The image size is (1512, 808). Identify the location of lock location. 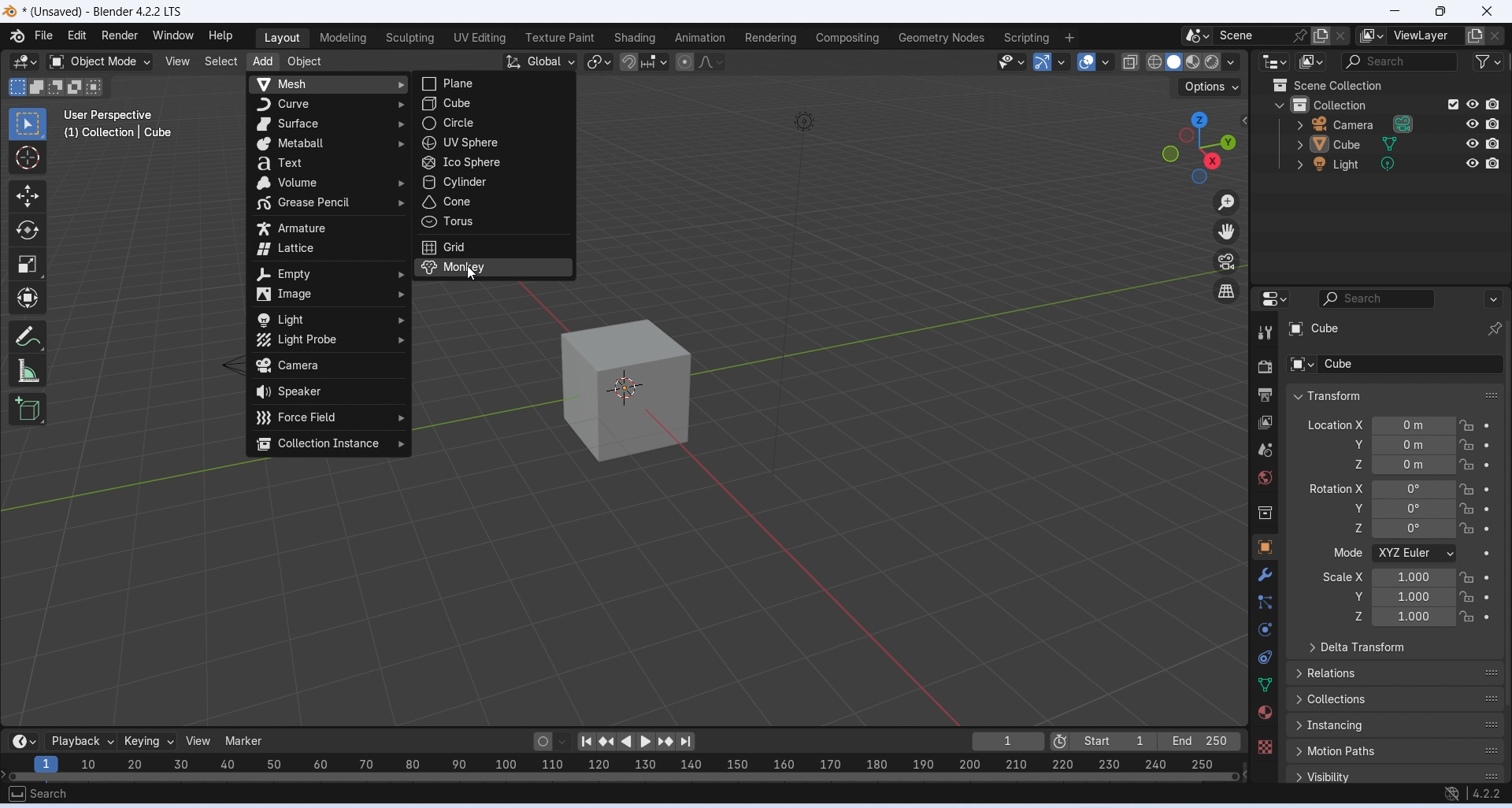
(1466, 489).